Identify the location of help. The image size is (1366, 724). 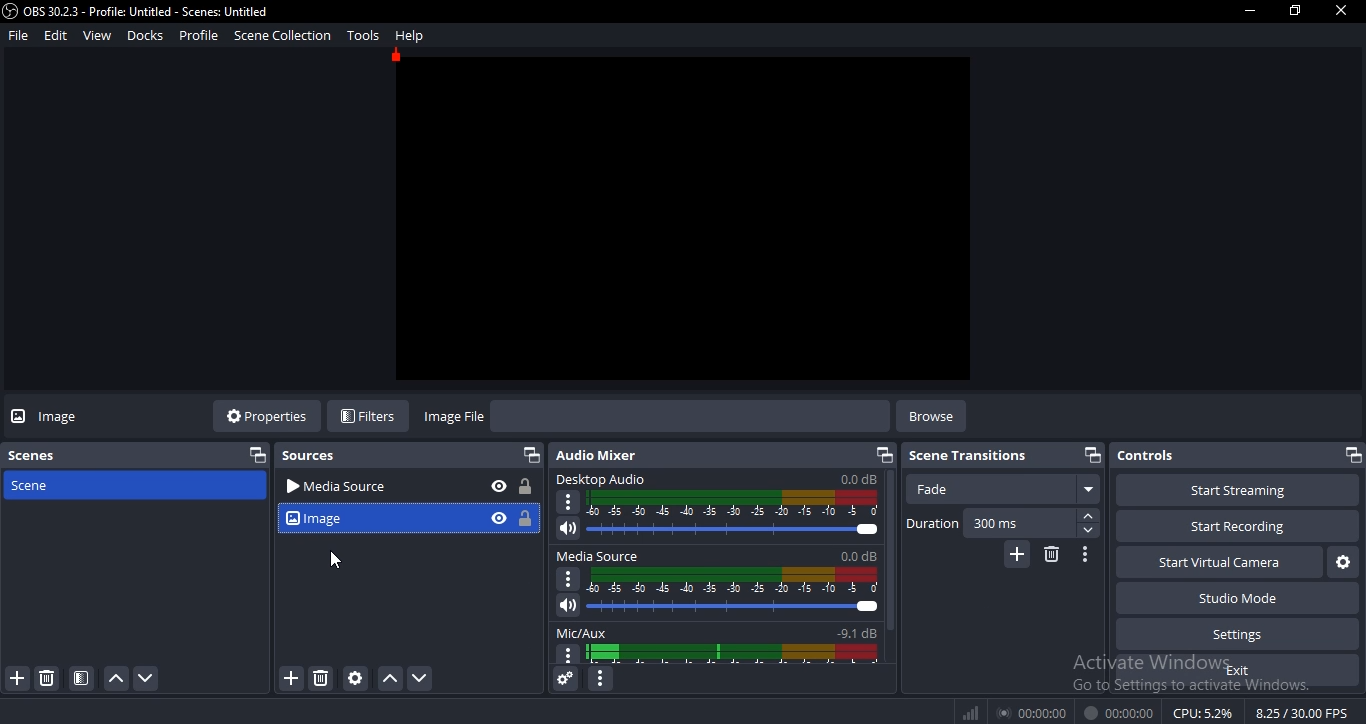
(407, 36).